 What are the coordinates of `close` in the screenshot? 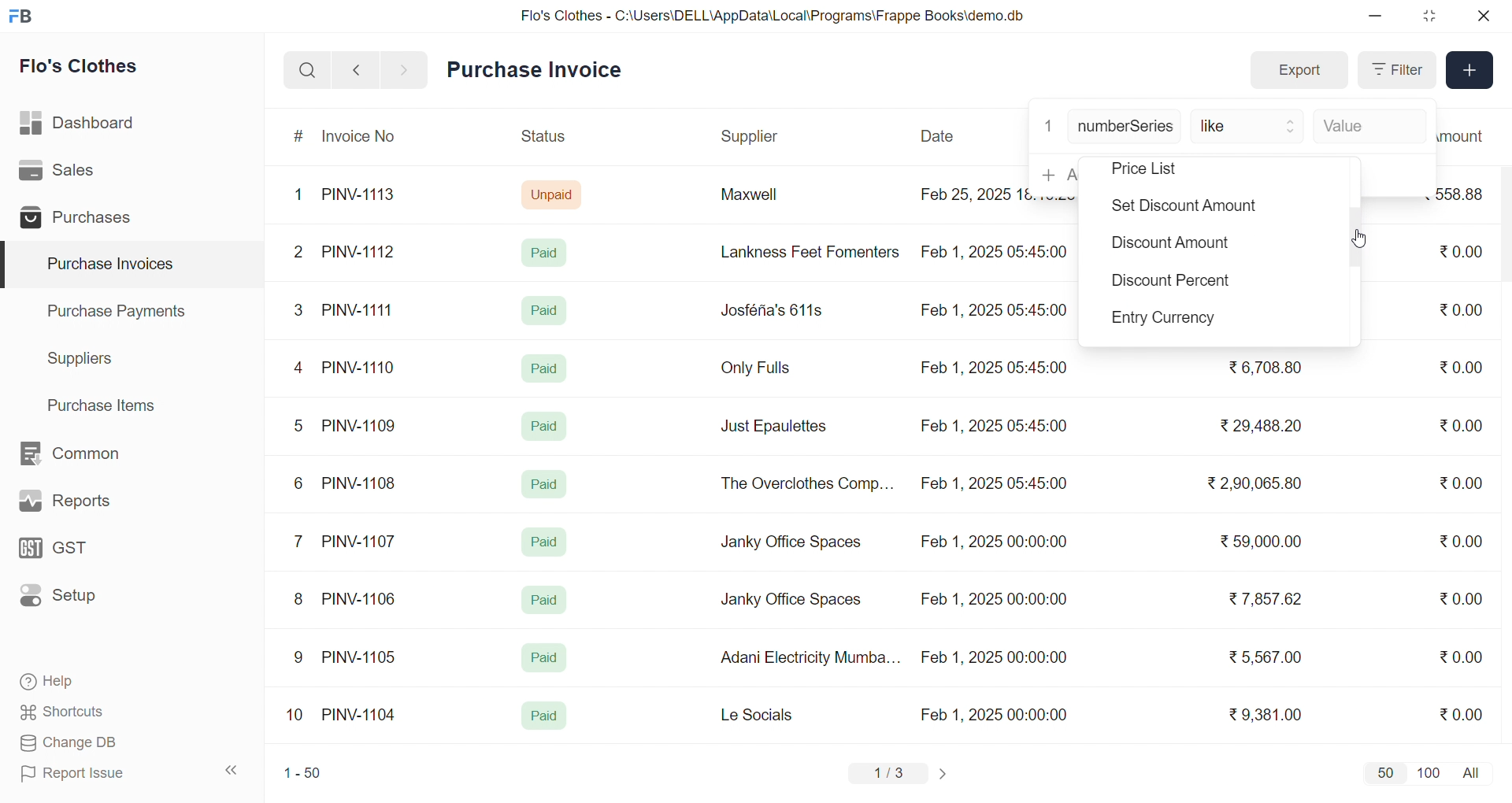 It's located at (1482, 16).